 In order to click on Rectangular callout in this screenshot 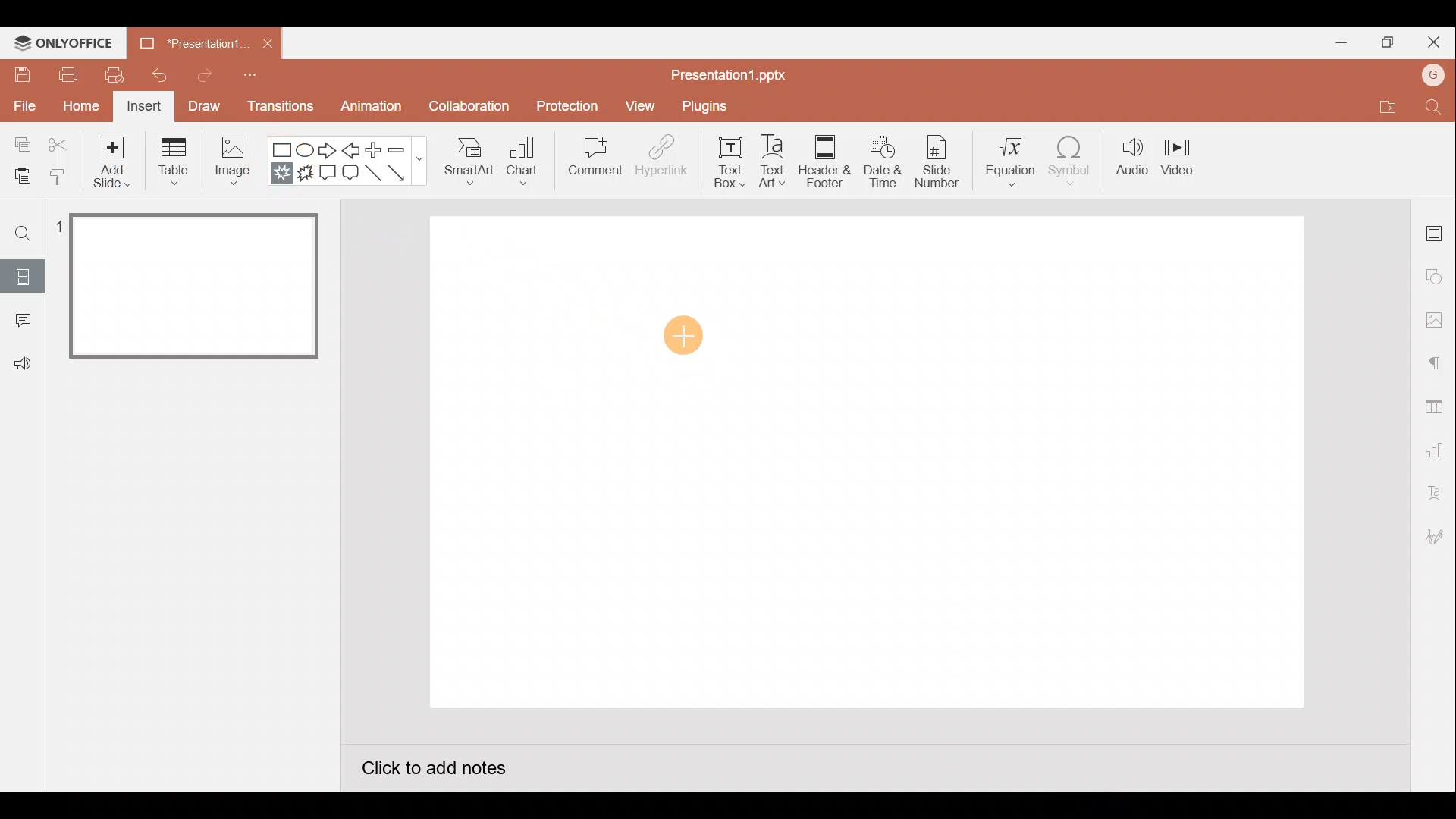, I will do `click(329, 175)`.